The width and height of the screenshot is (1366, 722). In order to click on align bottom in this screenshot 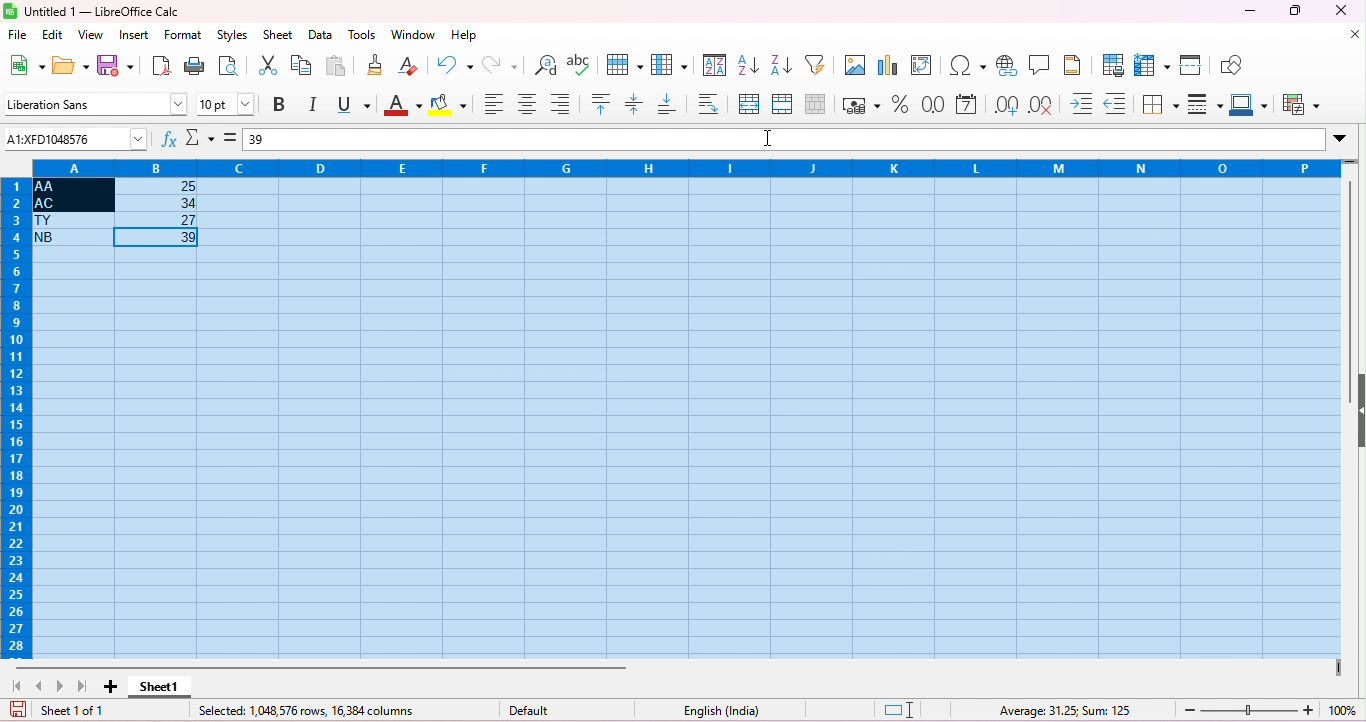, I will do `click(560, 103)`.